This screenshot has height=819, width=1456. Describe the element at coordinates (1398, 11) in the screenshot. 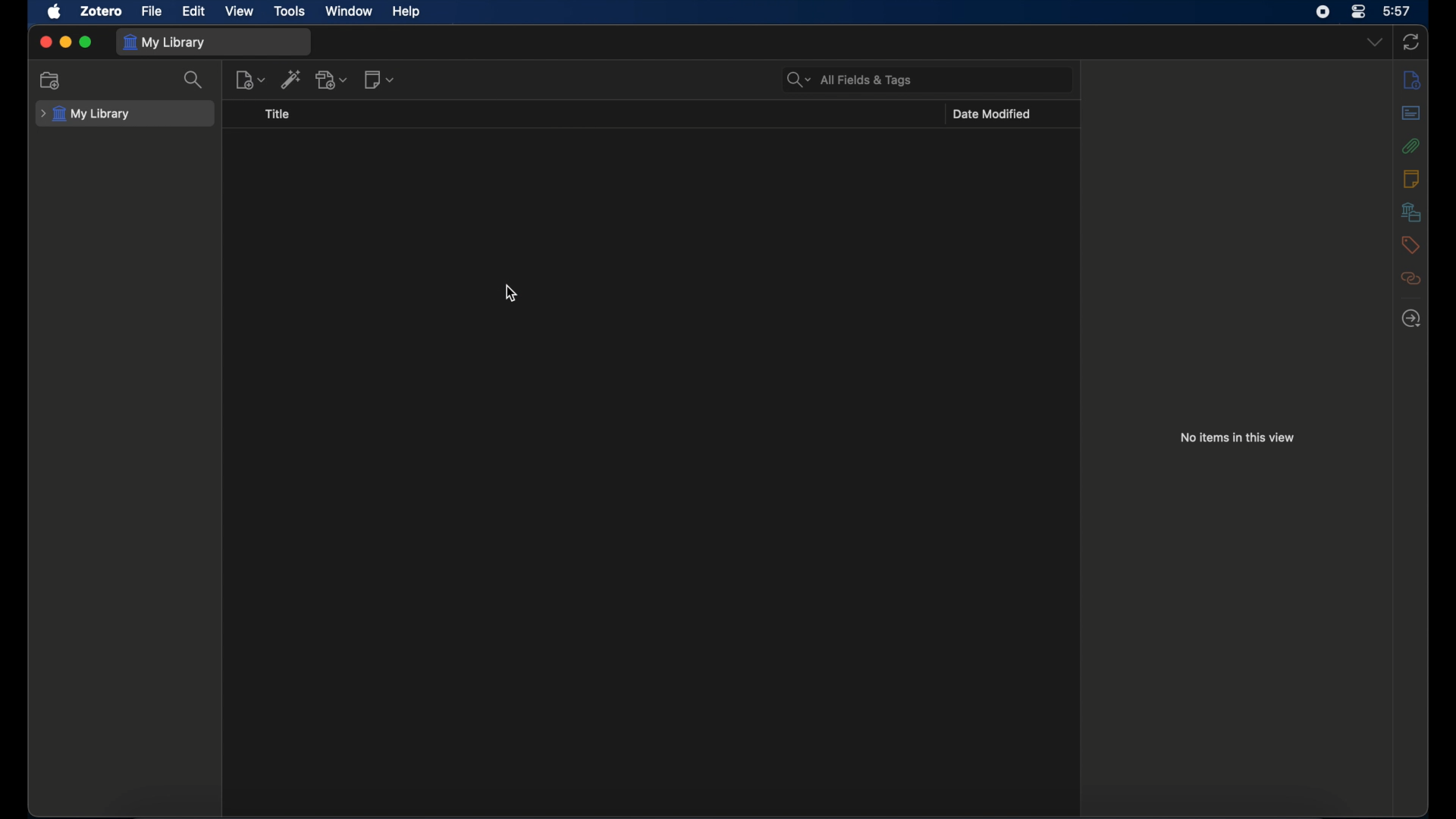

I see `time` at that location.